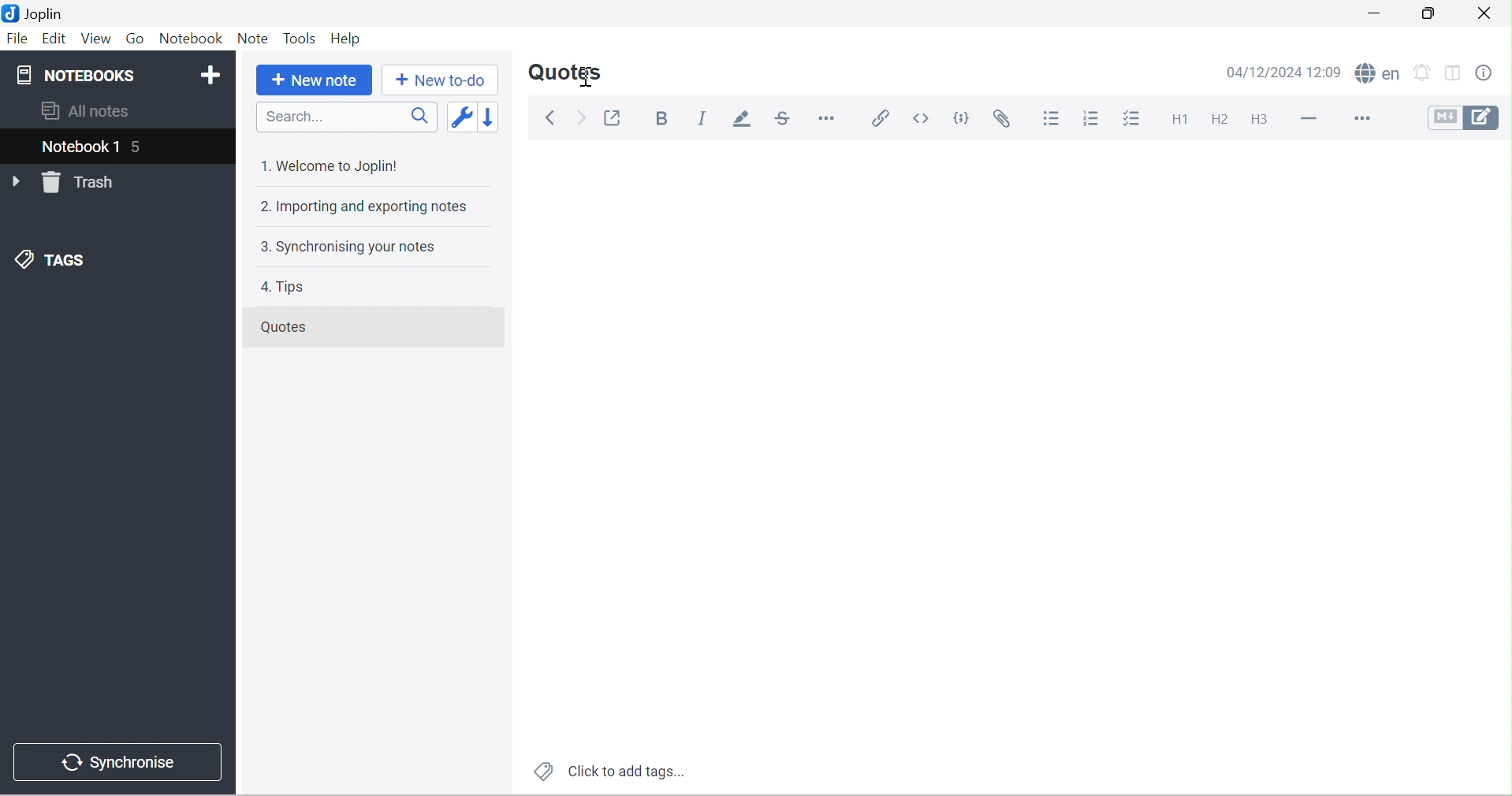  Describe the element at coordinates (1361, 119) in the screenshot. I see `More` at that location.